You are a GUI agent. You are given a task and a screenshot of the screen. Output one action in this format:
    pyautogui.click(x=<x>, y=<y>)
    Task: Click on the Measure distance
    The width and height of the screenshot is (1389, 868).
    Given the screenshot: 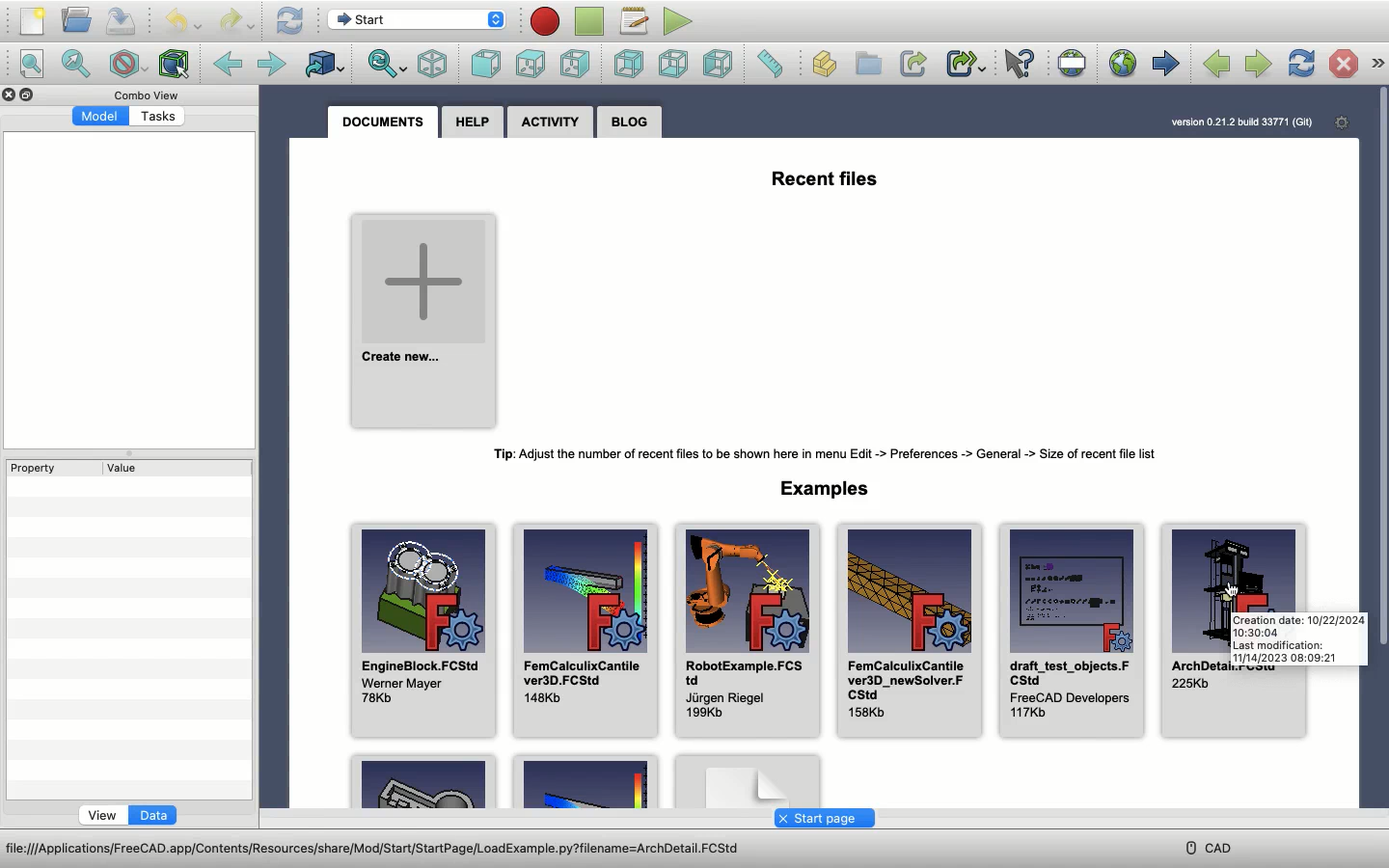 What is the action you would take?
    pyautogui.click(x=774, y=64)
    